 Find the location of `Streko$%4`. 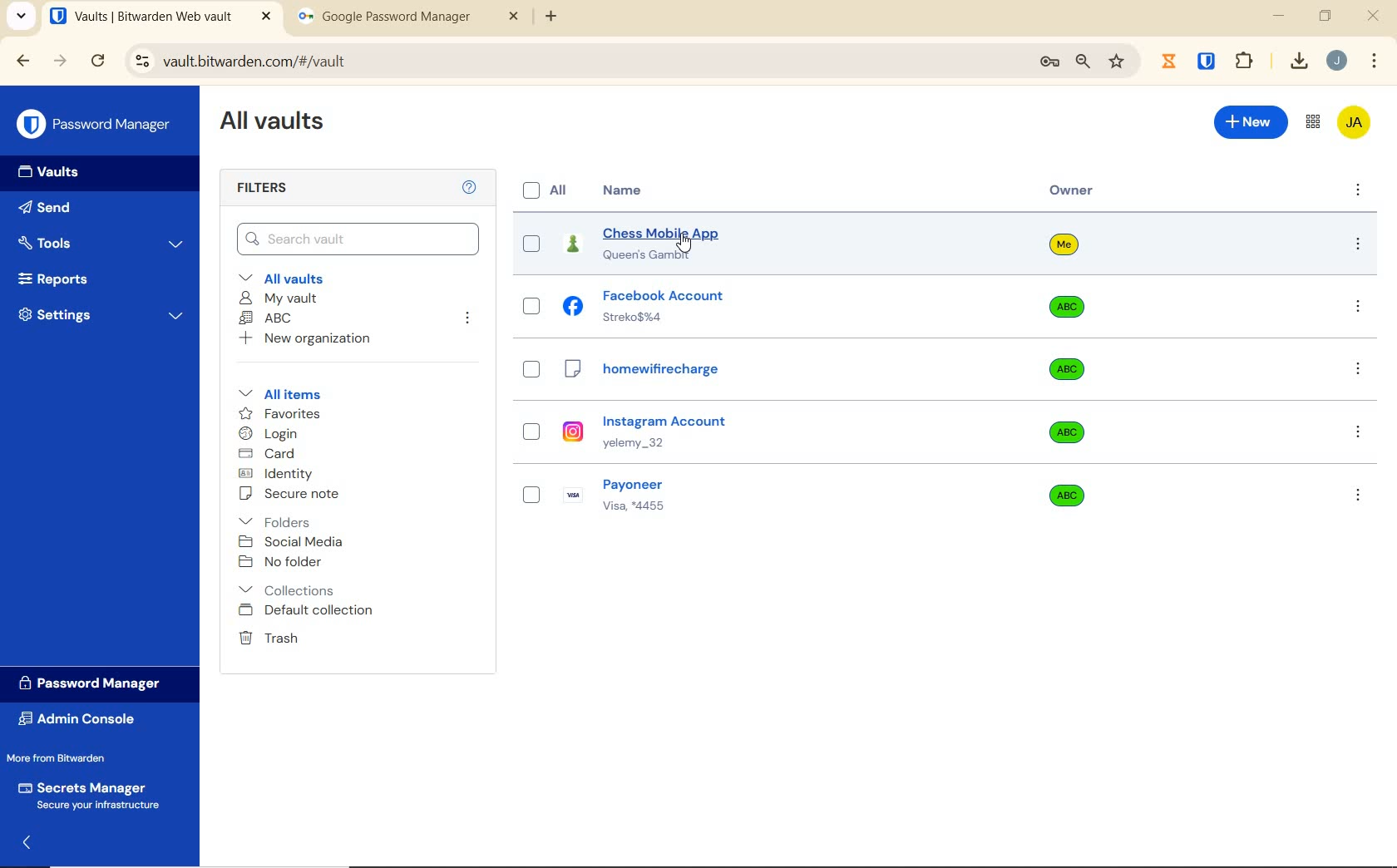

Streko$%4 is located at coordinates (641, 318).